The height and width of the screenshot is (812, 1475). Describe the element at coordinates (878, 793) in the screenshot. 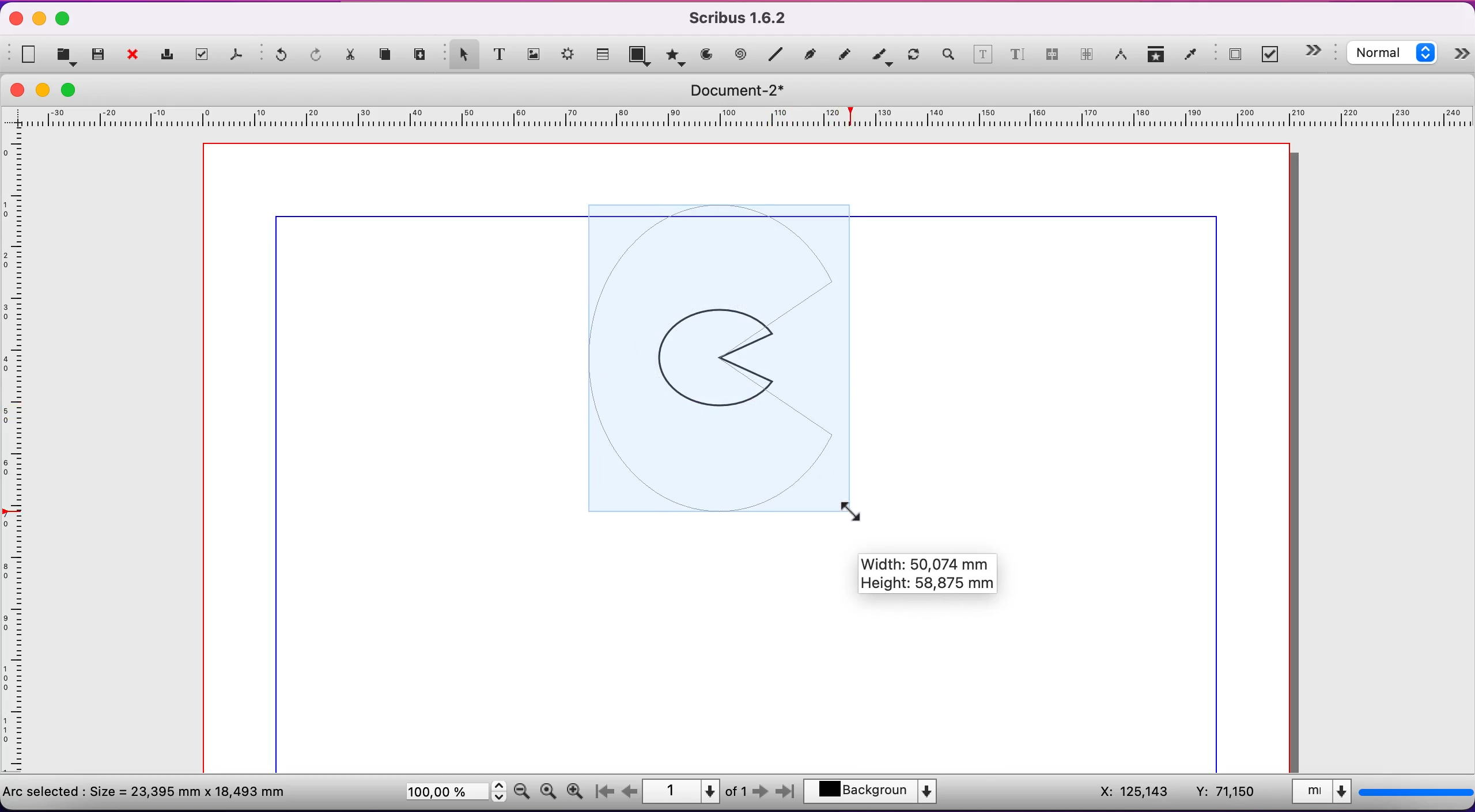

I see `background` at that location.